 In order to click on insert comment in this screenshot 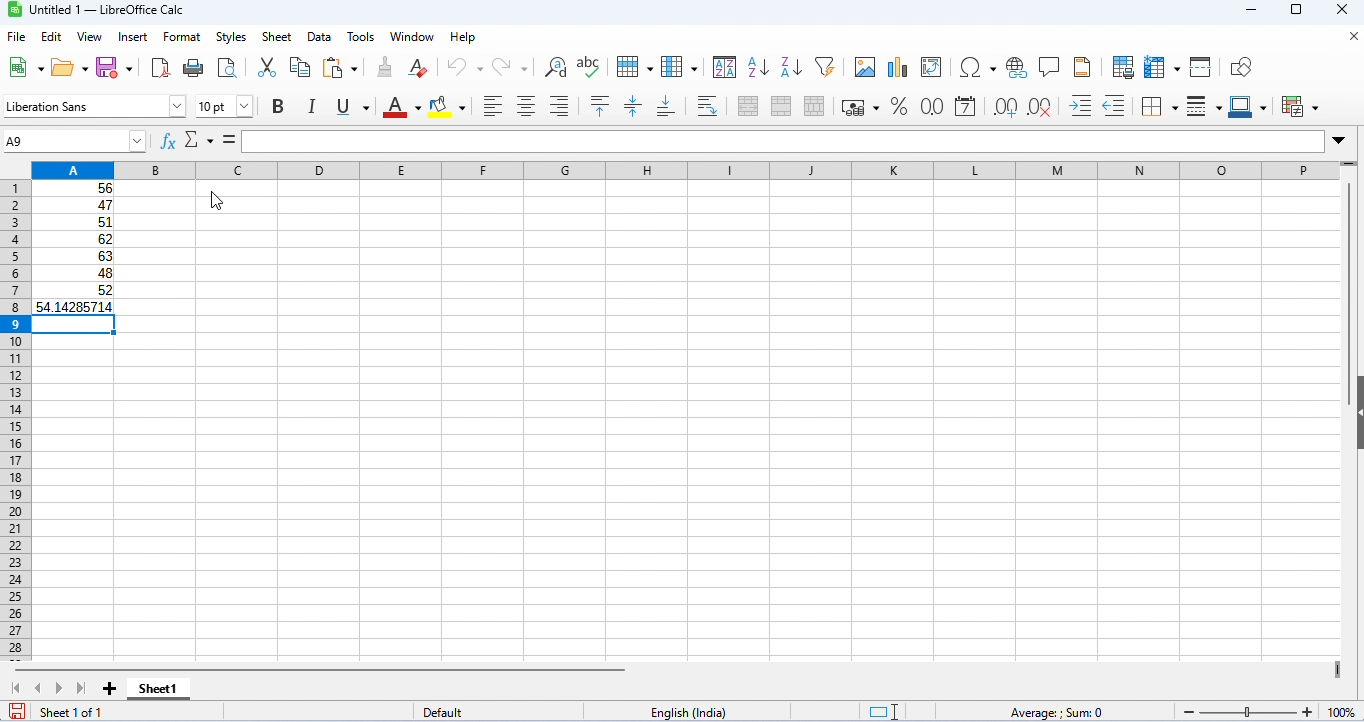, I will do `click(1050, 67)`.